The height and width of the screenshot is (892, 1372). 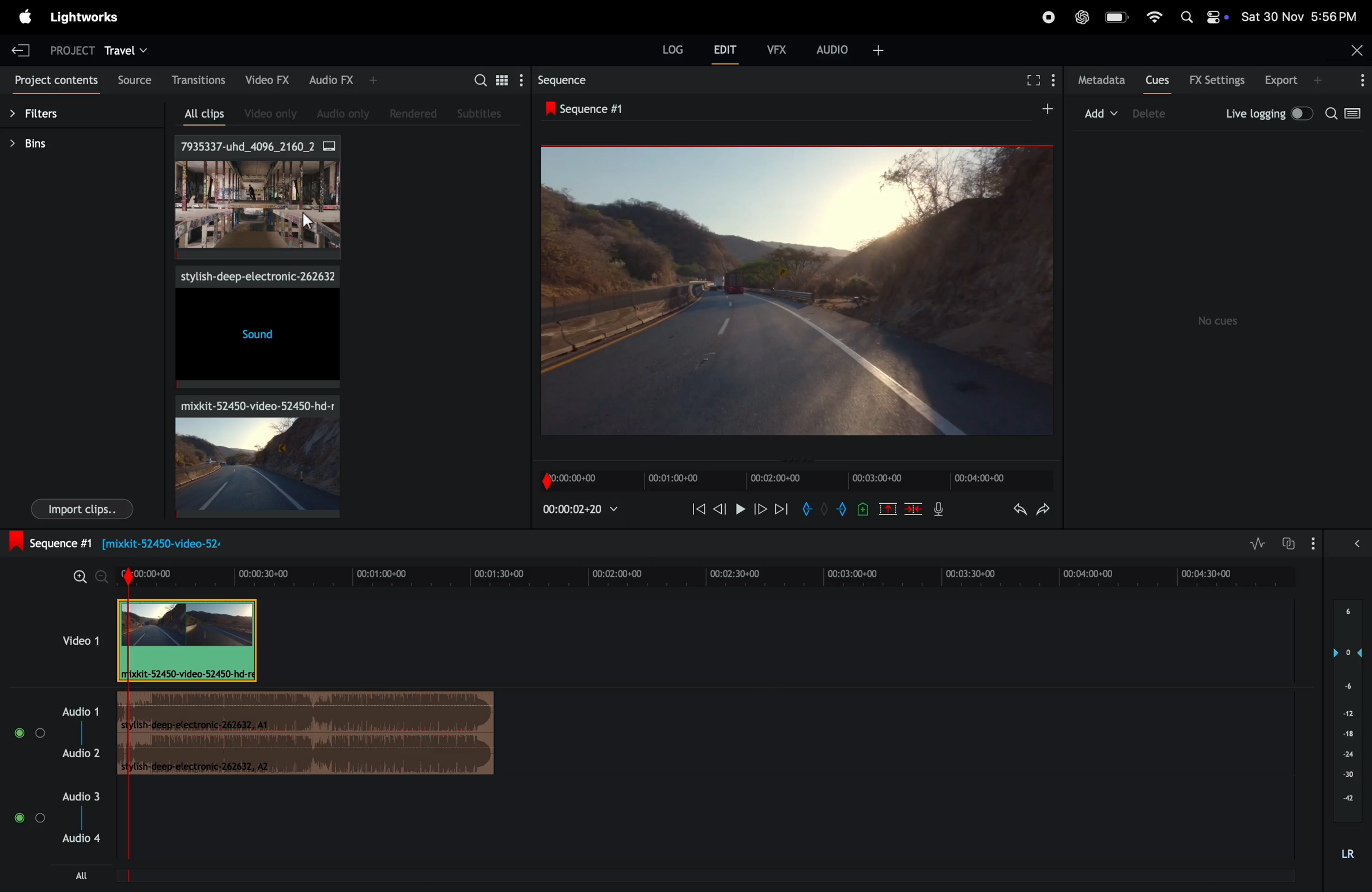 I want to click on next frame, so click(x=782, y=512).